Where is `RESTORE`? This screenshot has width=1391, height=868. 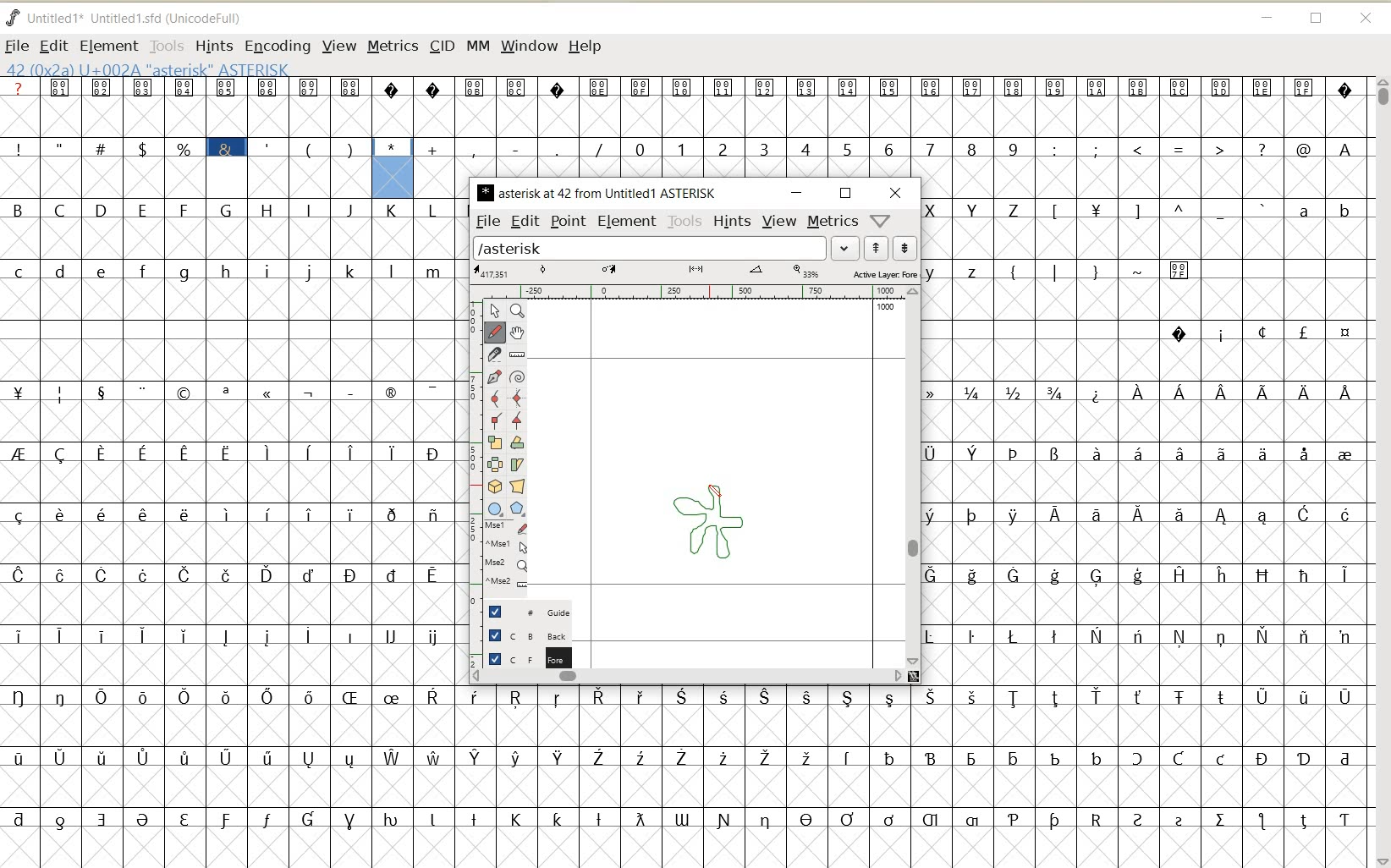
RESTORE is located at coordinates (847, 193).